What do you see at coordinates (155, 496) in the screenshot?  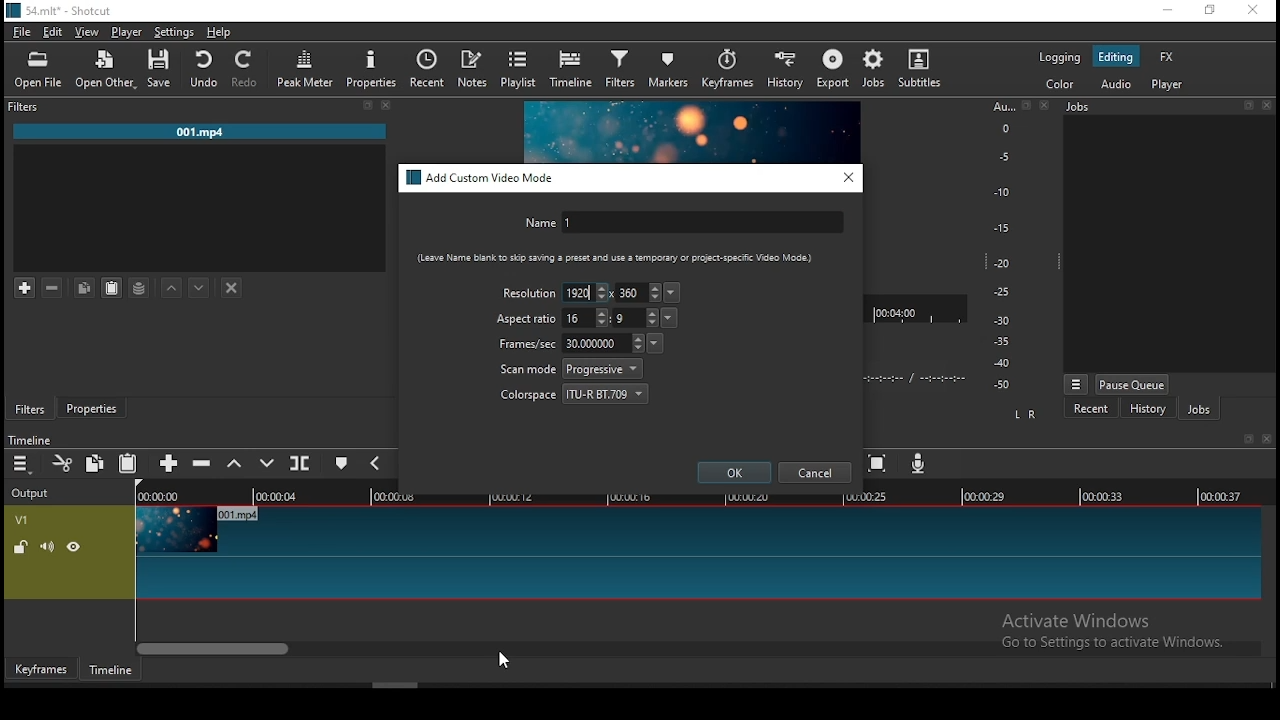 I see `00:00:00` at bounding box center [155, 496].